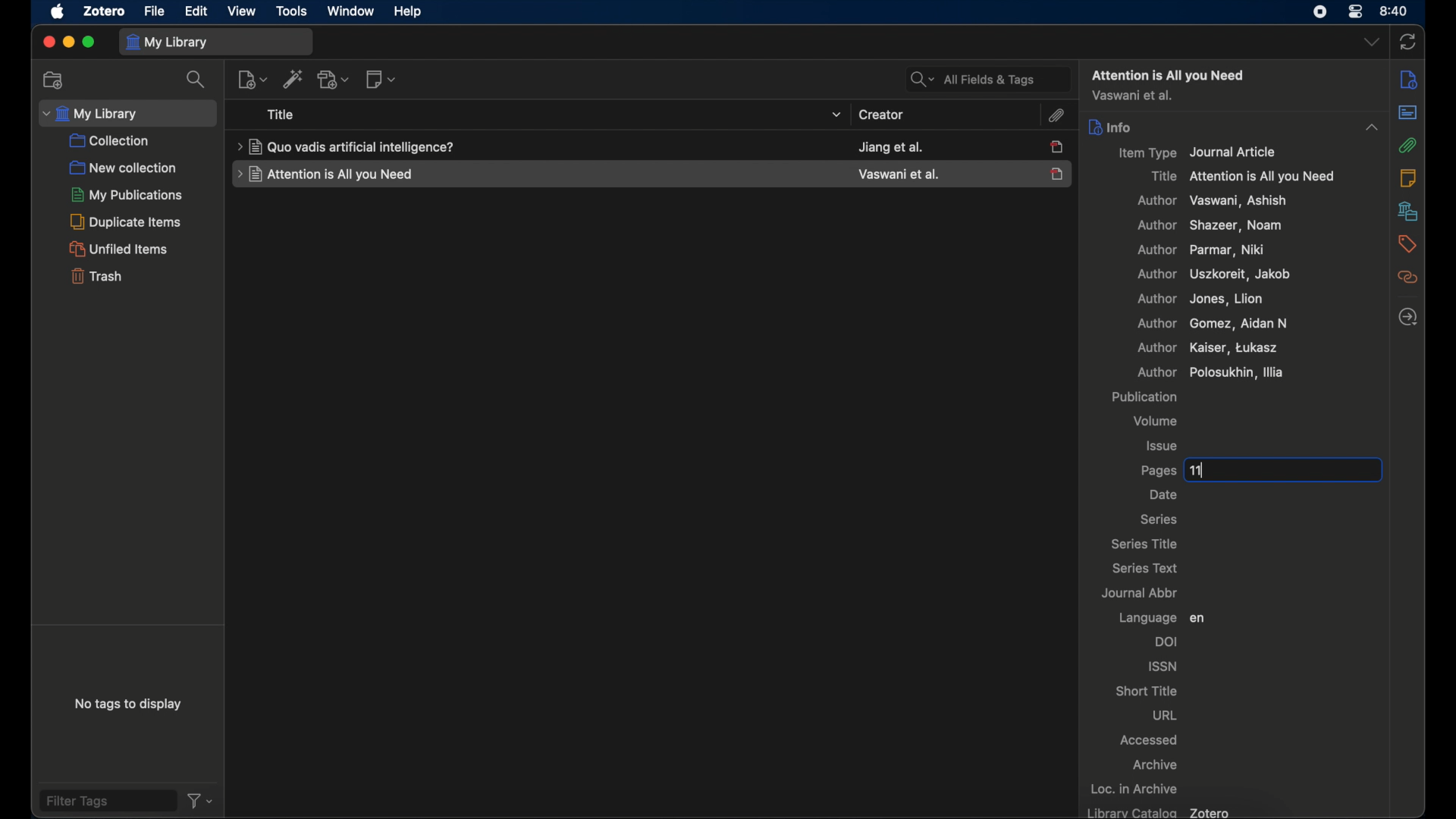 Image resolution: width=1456 pixels, height=819 pixels. I want to click on language en, so click(1161, 617).